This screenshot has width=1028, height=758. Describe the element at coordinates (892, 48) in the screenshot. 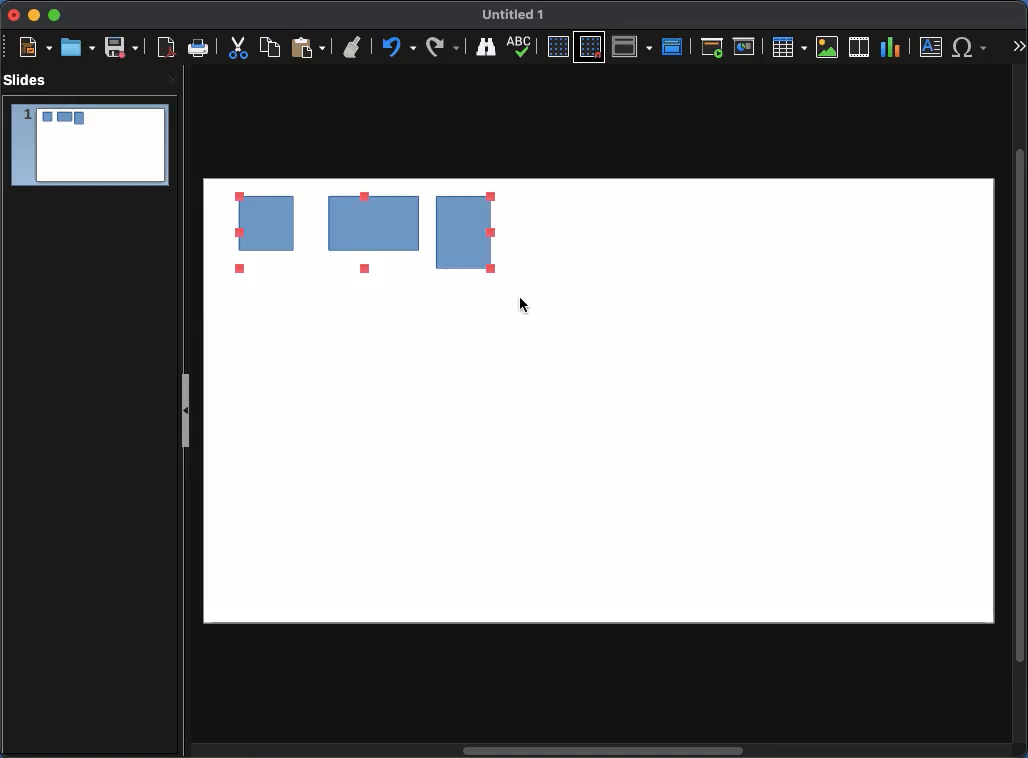

I see `Chart` at that location.